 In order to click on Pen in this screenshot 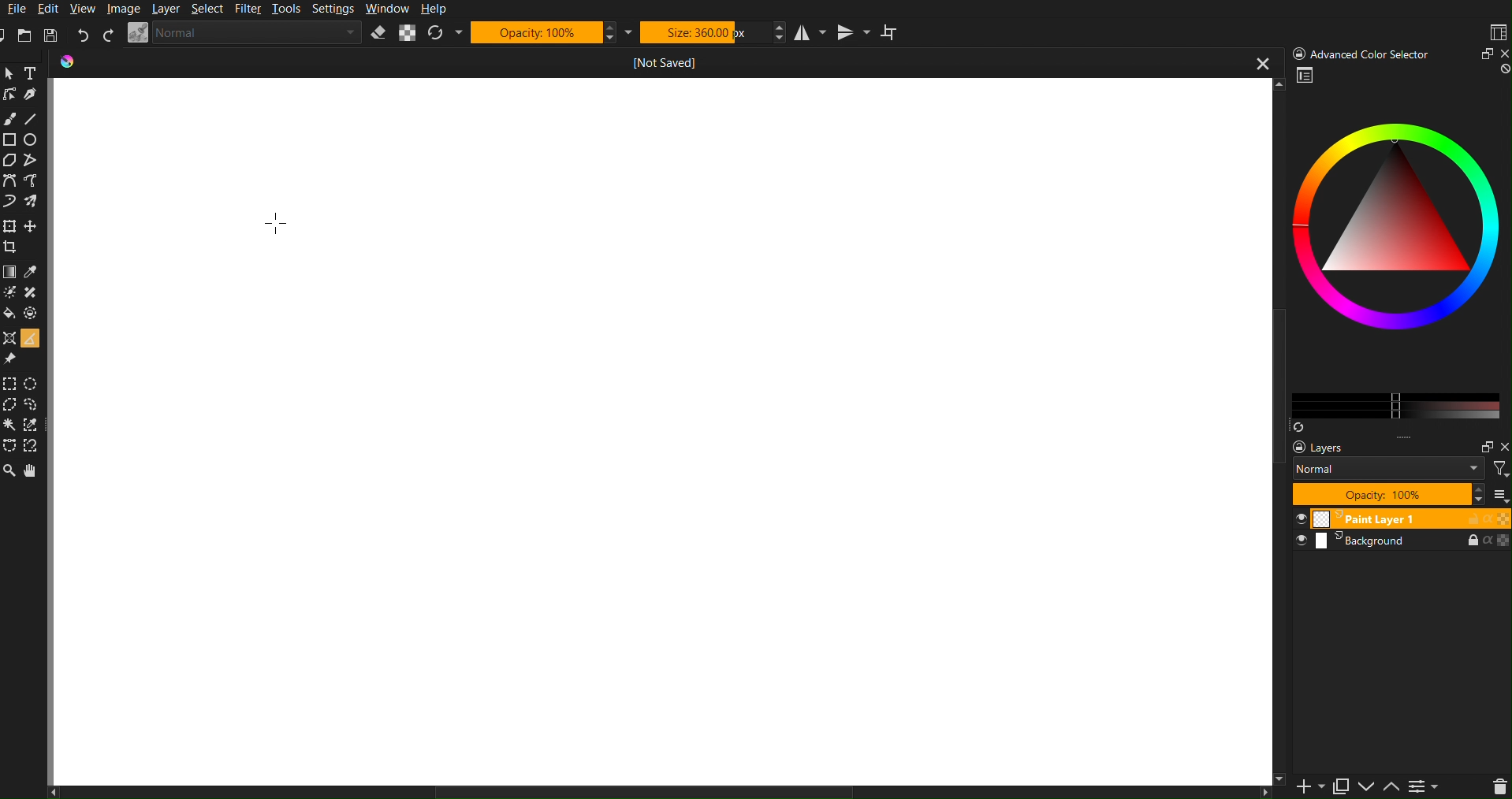, I will do `click(32, 93)`.